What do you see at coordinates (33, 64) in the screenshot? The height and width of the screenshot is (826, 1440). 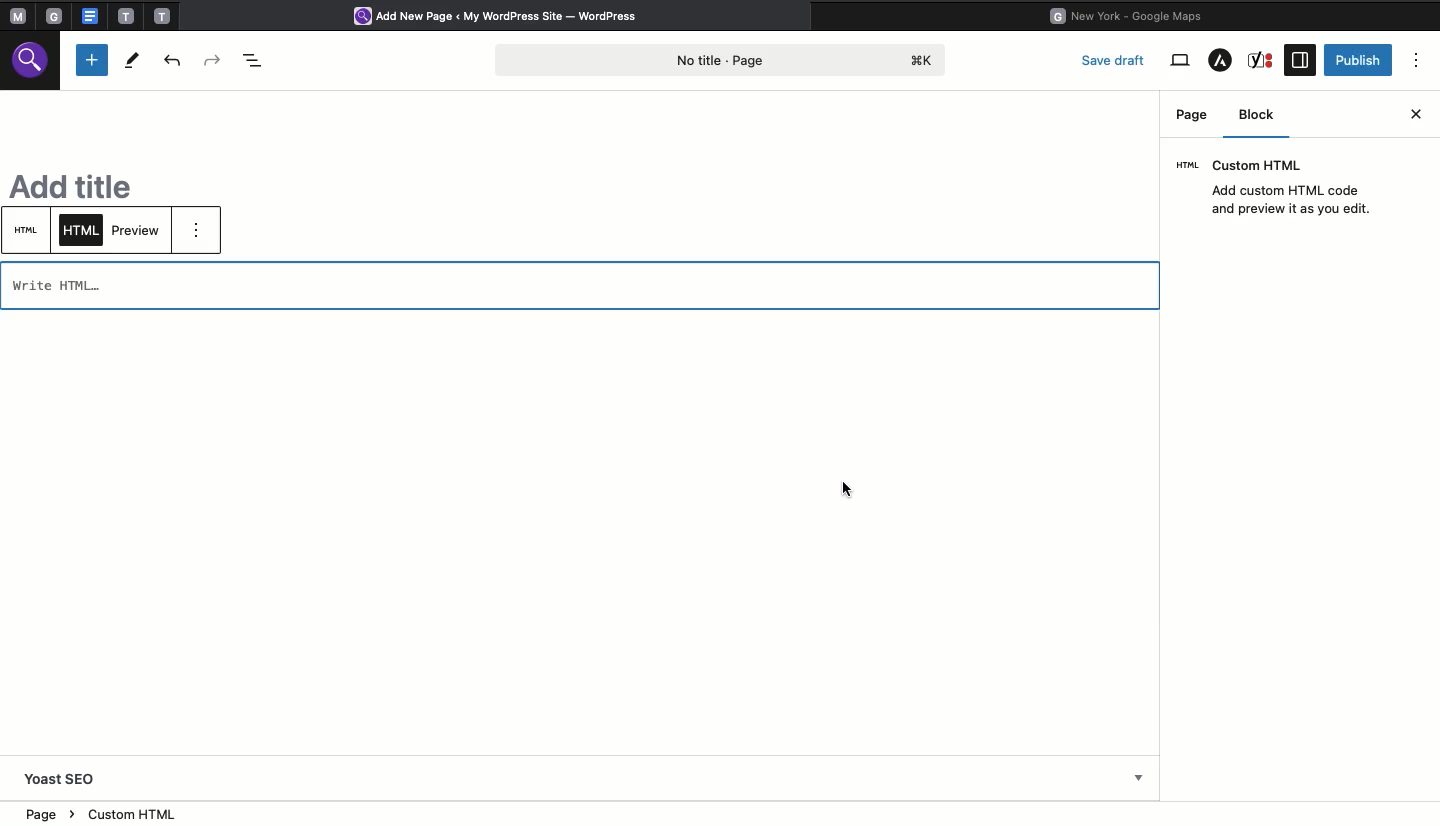 I see `search` at bounding box center [33, 64].